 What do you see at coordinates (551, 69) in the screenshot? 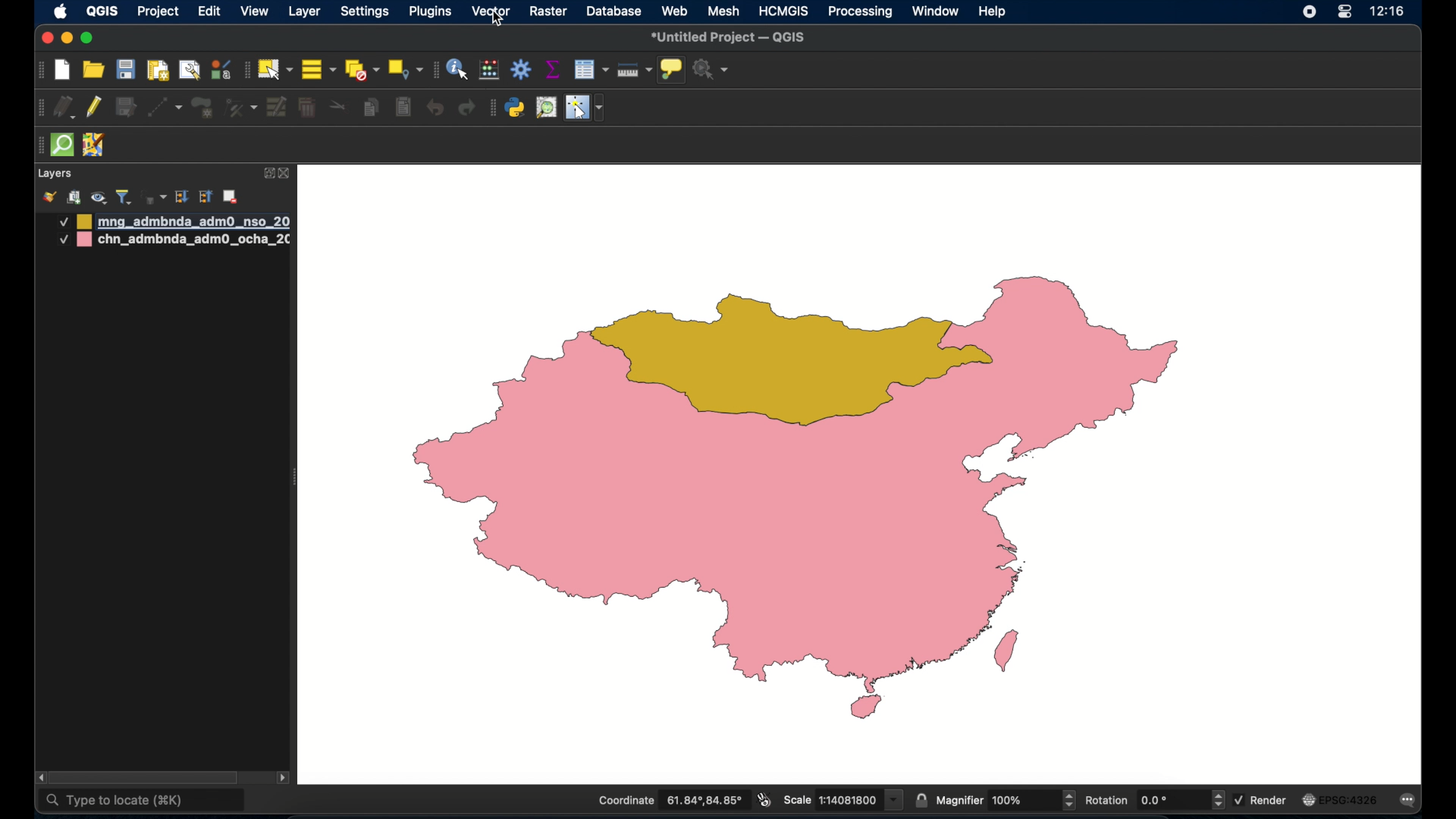
I see `show statistical summary` at bounding box center [551, 69].